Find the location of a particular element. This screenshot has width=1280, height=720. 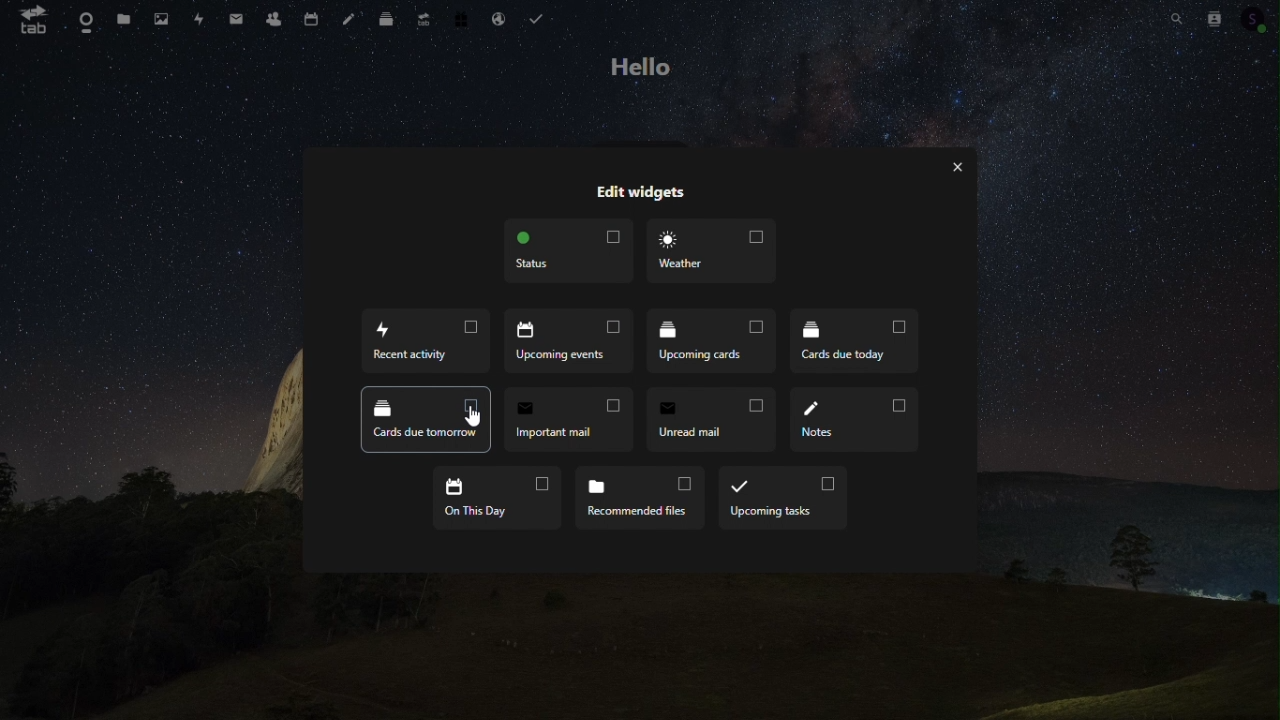

unread email is located at coordinates (710, 420).